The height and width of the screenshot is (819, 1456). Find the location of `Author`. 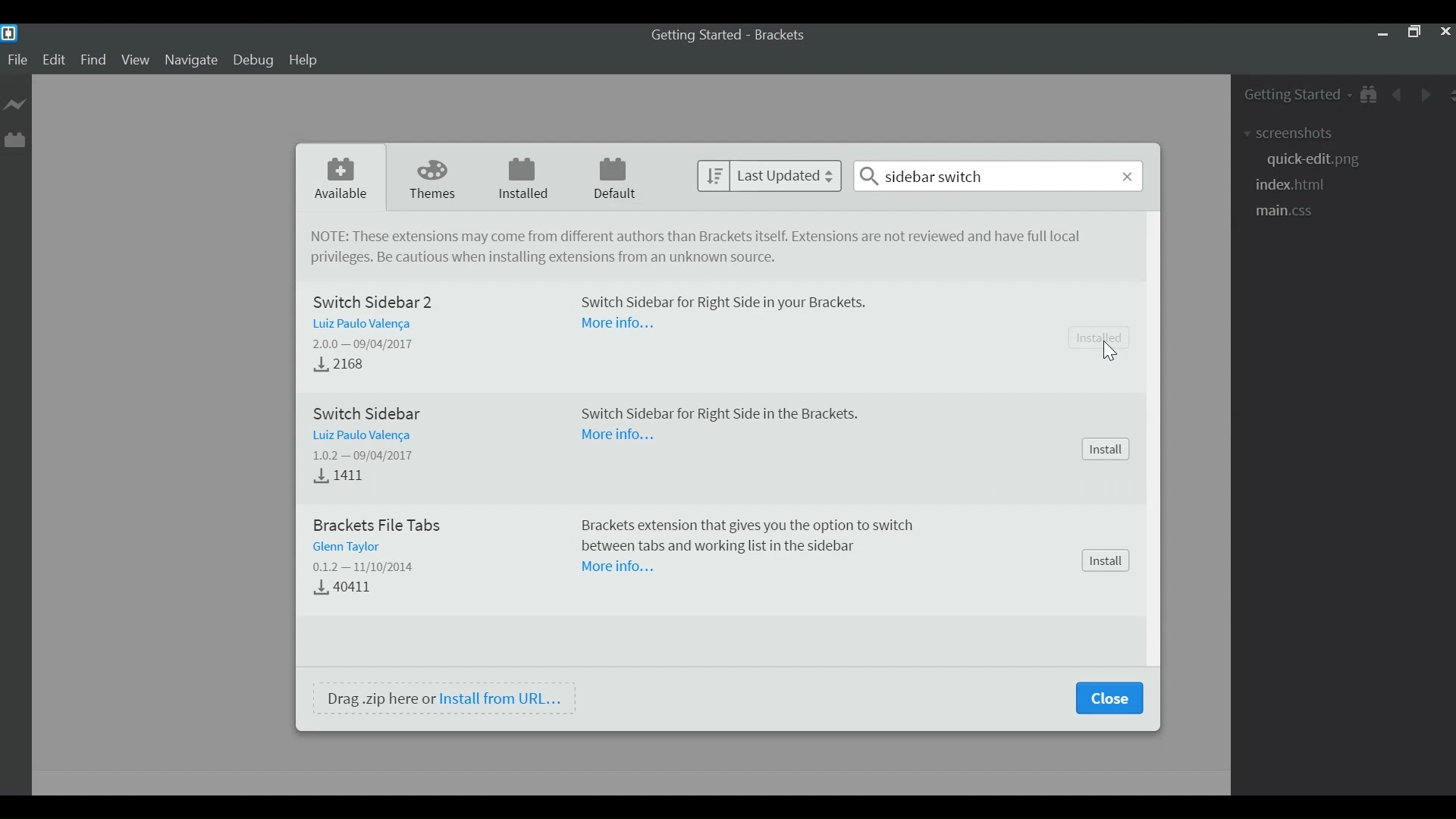

Author is located at coordinates (367, 435).